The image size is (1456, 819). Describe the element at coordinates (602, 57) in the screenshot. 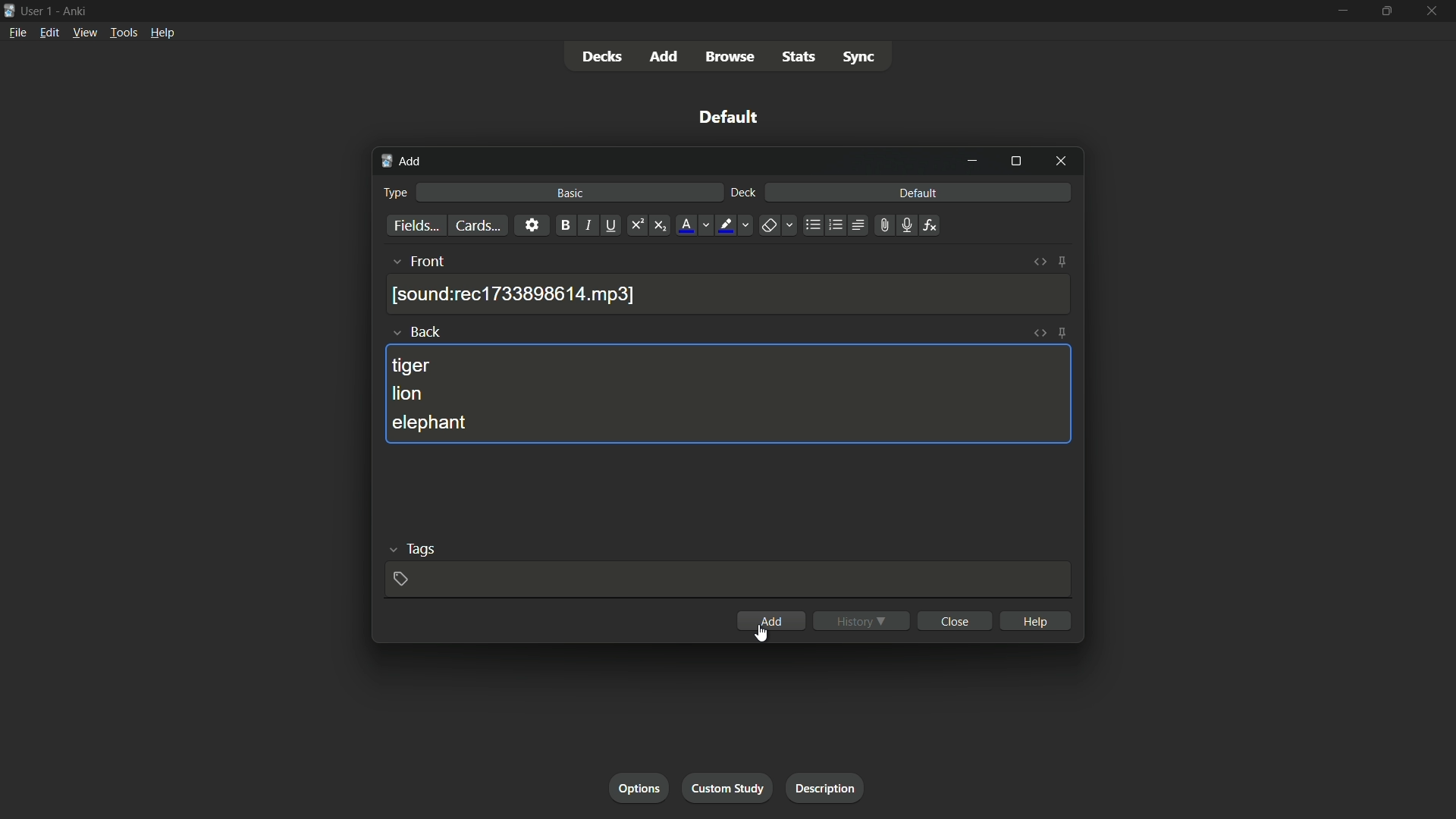

I see `decks` at that location.